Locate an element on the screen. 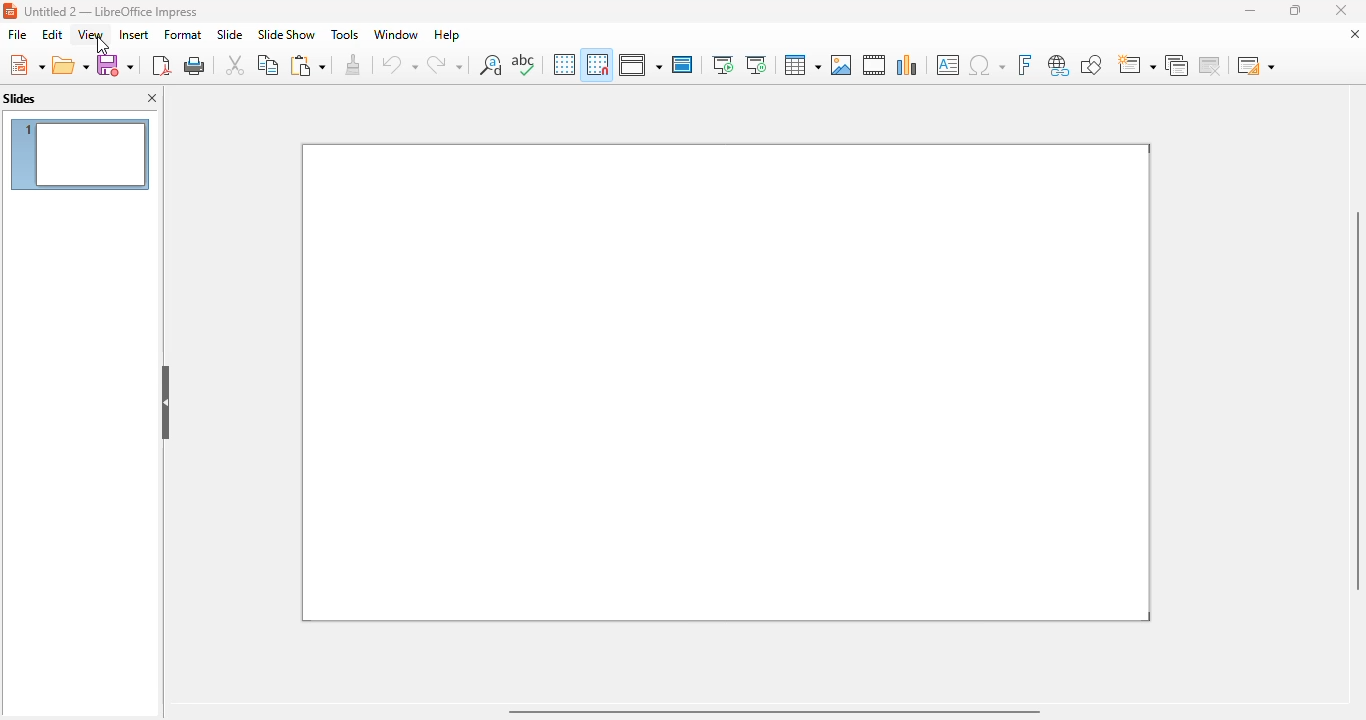 Image resolution: width=1366 pixels, height=720 pixels. format is located at coordinates (183, 35).